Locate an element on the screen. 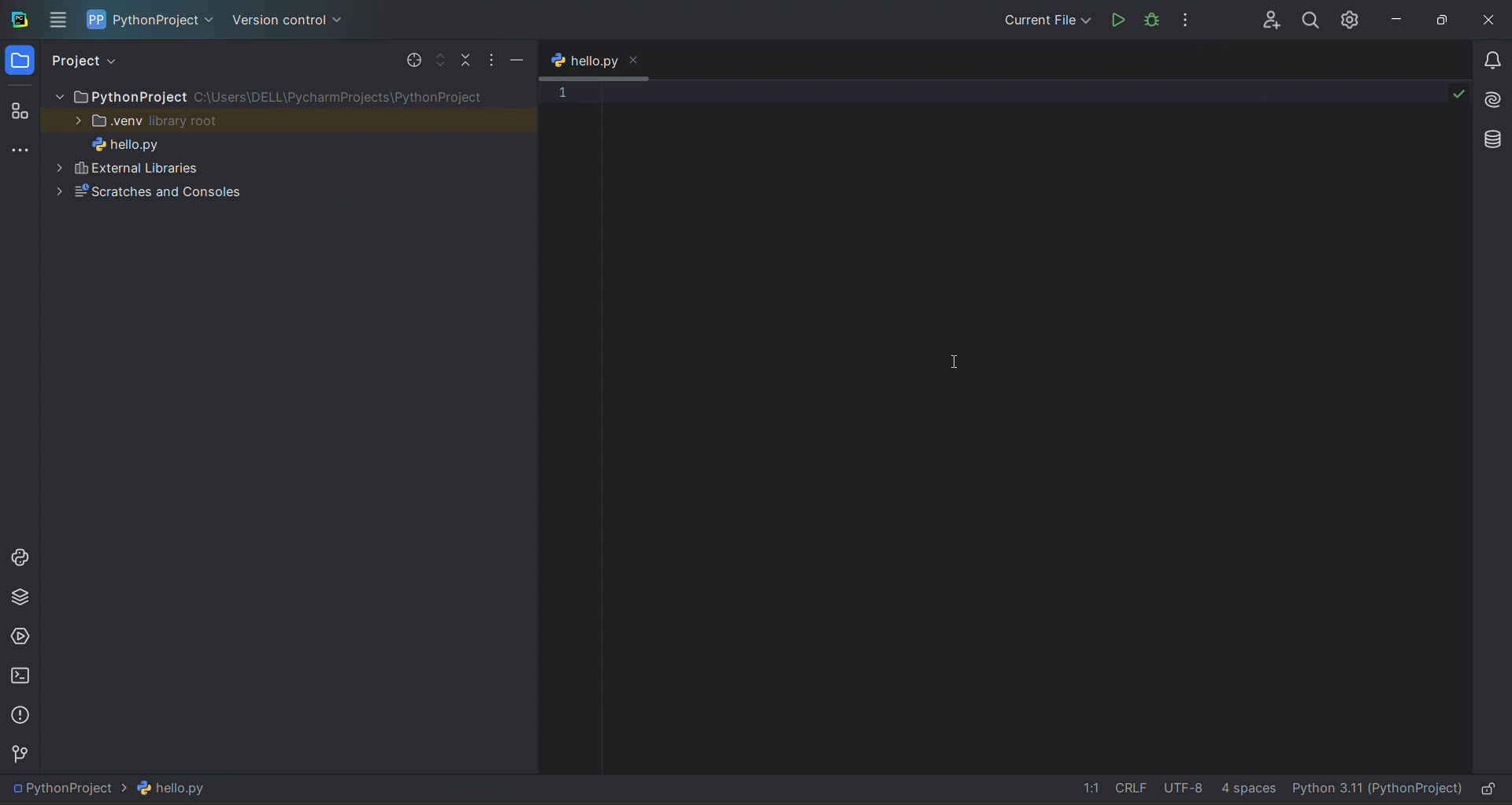 This screenshot has width=1512, height=805. terminal is located at coordinates (20, 677).